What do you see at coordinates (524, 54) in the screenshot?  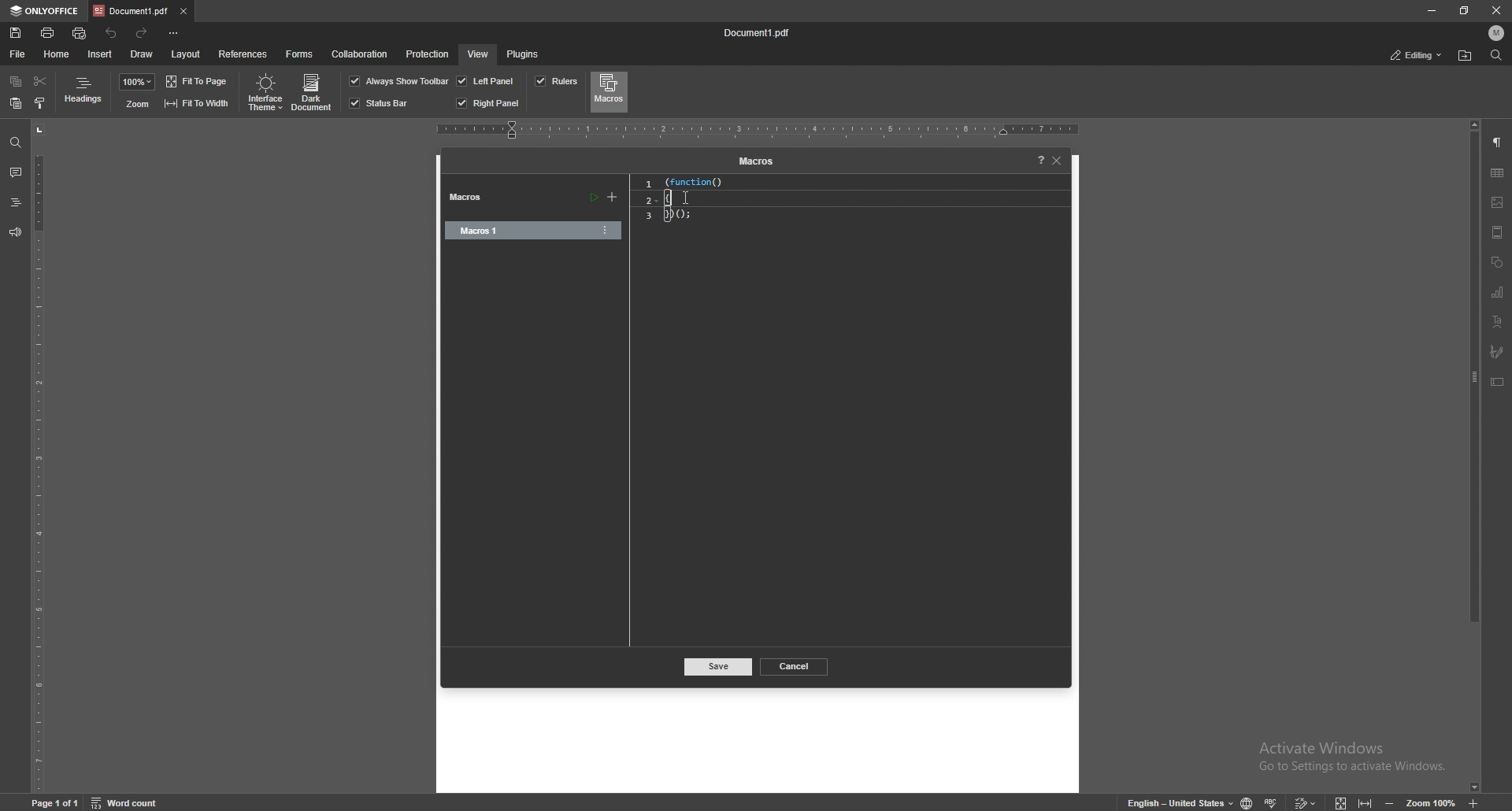 I see `plugins` at bounding box center [524, 54].